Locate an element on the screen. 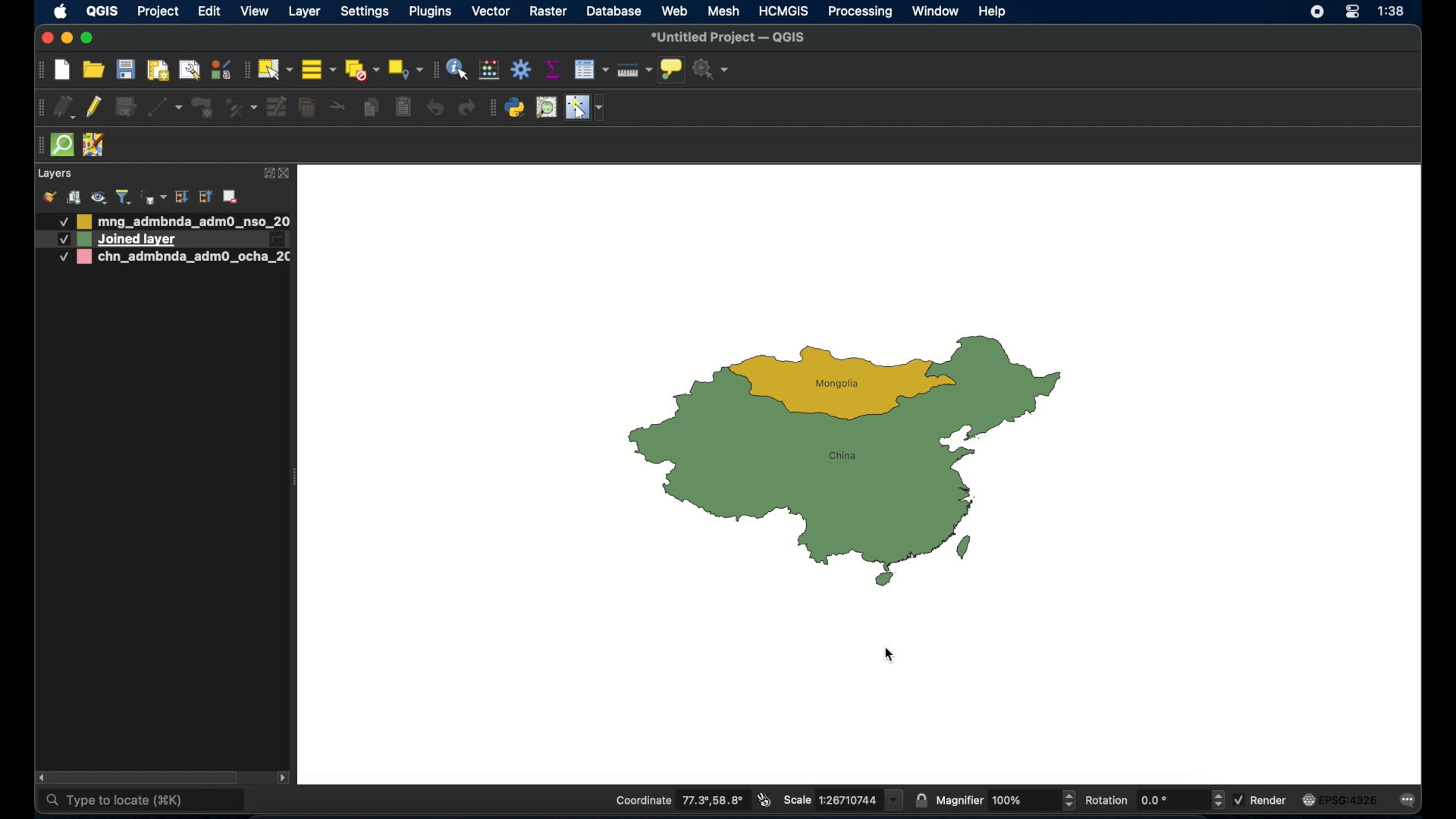 This screenshot has width=1456, height=819. switches cursor to configurable pointer is located at coordinates (587, 108).